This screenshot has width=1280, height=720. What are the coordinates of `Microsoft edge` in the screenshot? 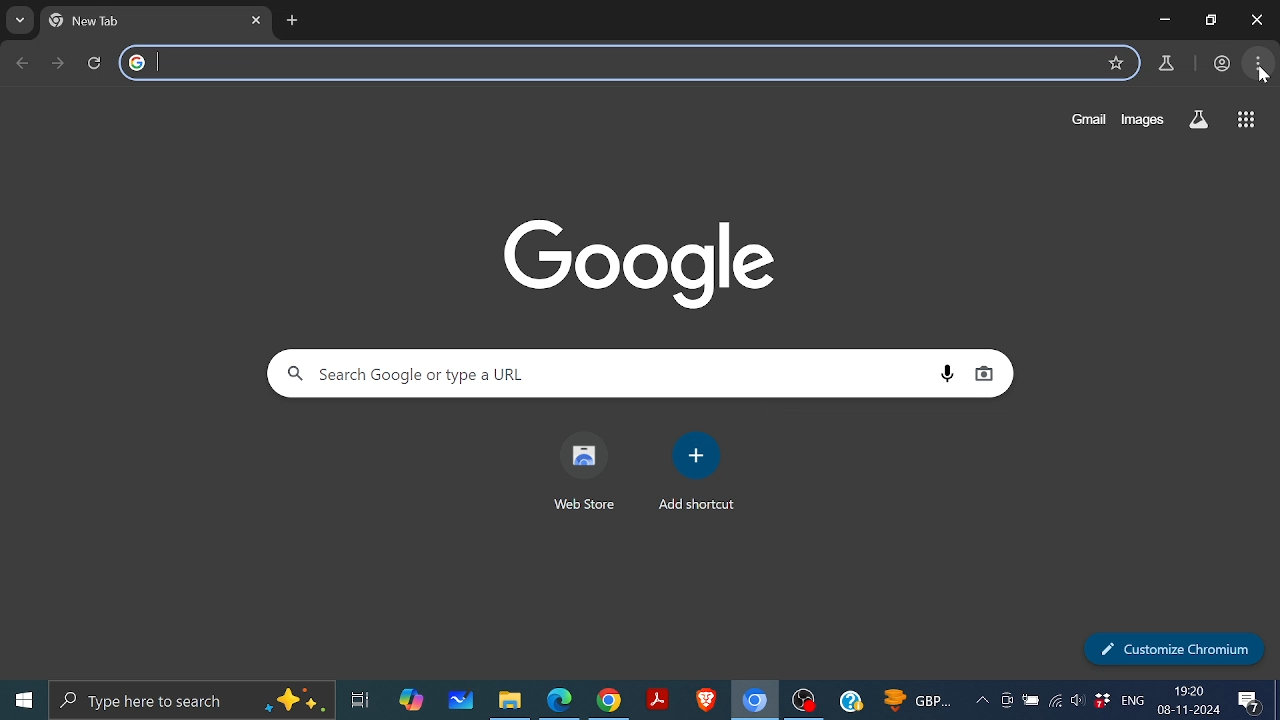 It's located at (559, 699).